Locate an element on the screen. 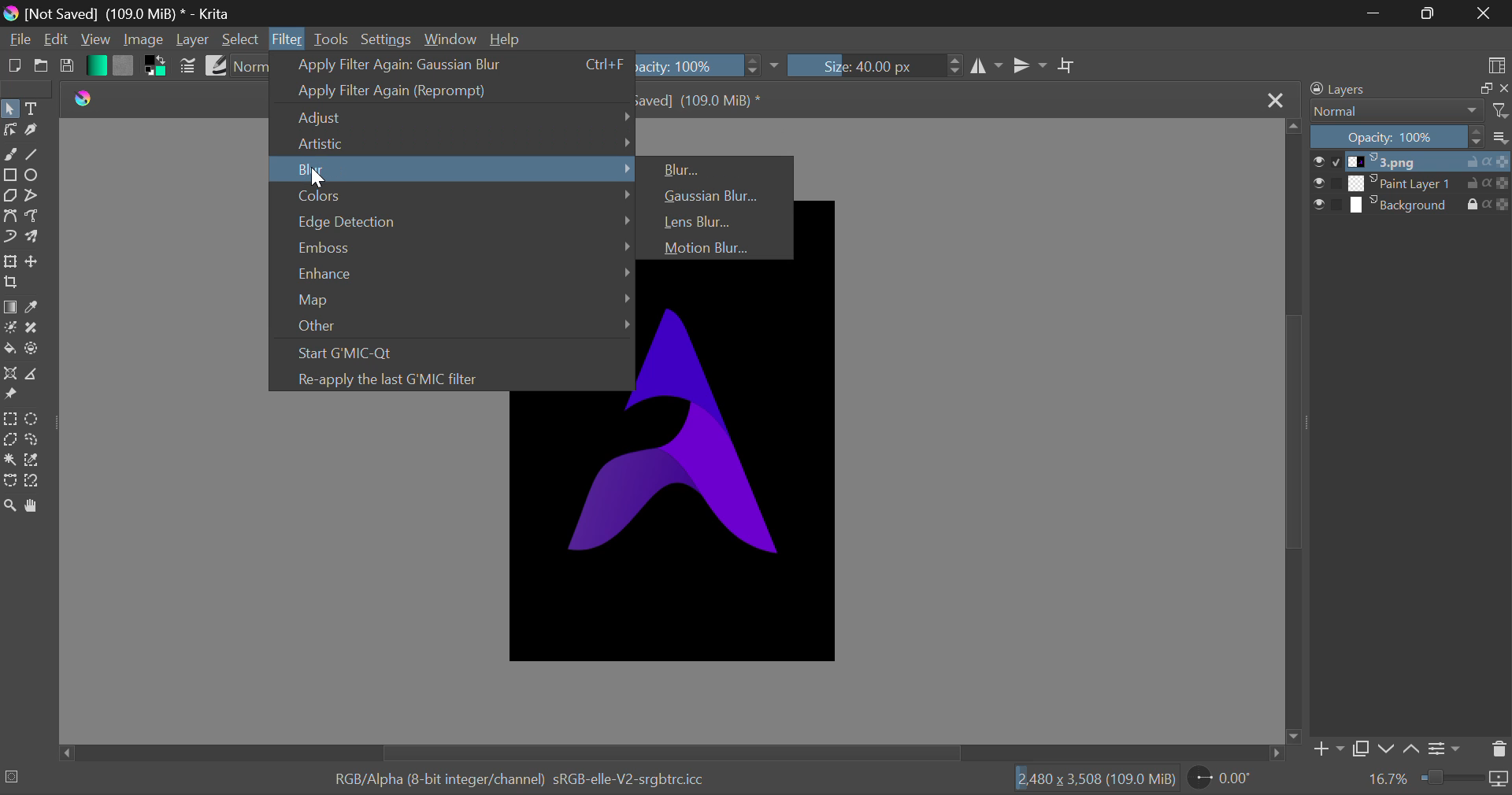 Image resolution: width=1512 pixels, height=795 pixels. Ellipses is located at coordinates (34, 176).